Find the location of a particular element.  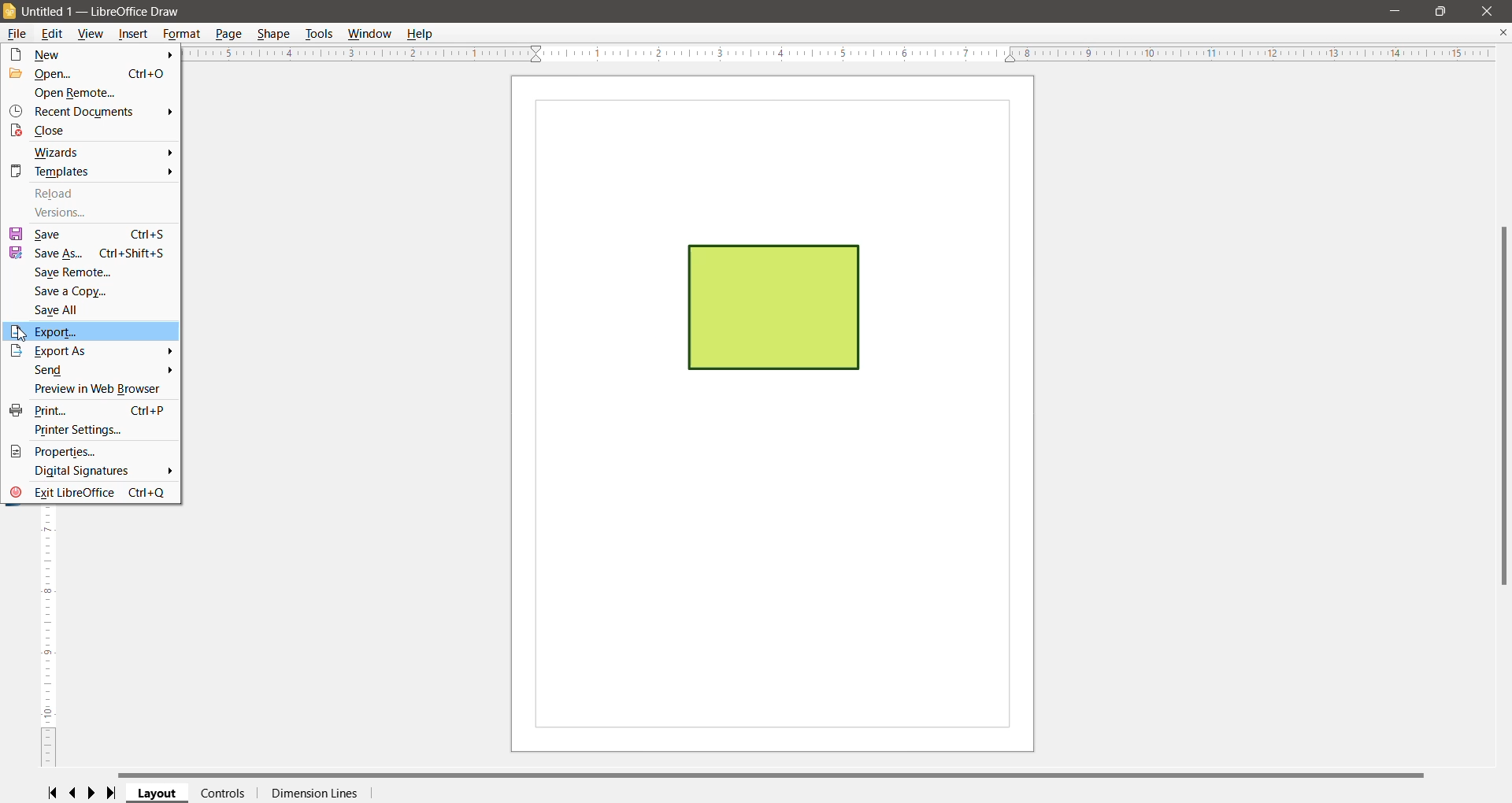

Save a Copy is located at coordinates (72, 291).